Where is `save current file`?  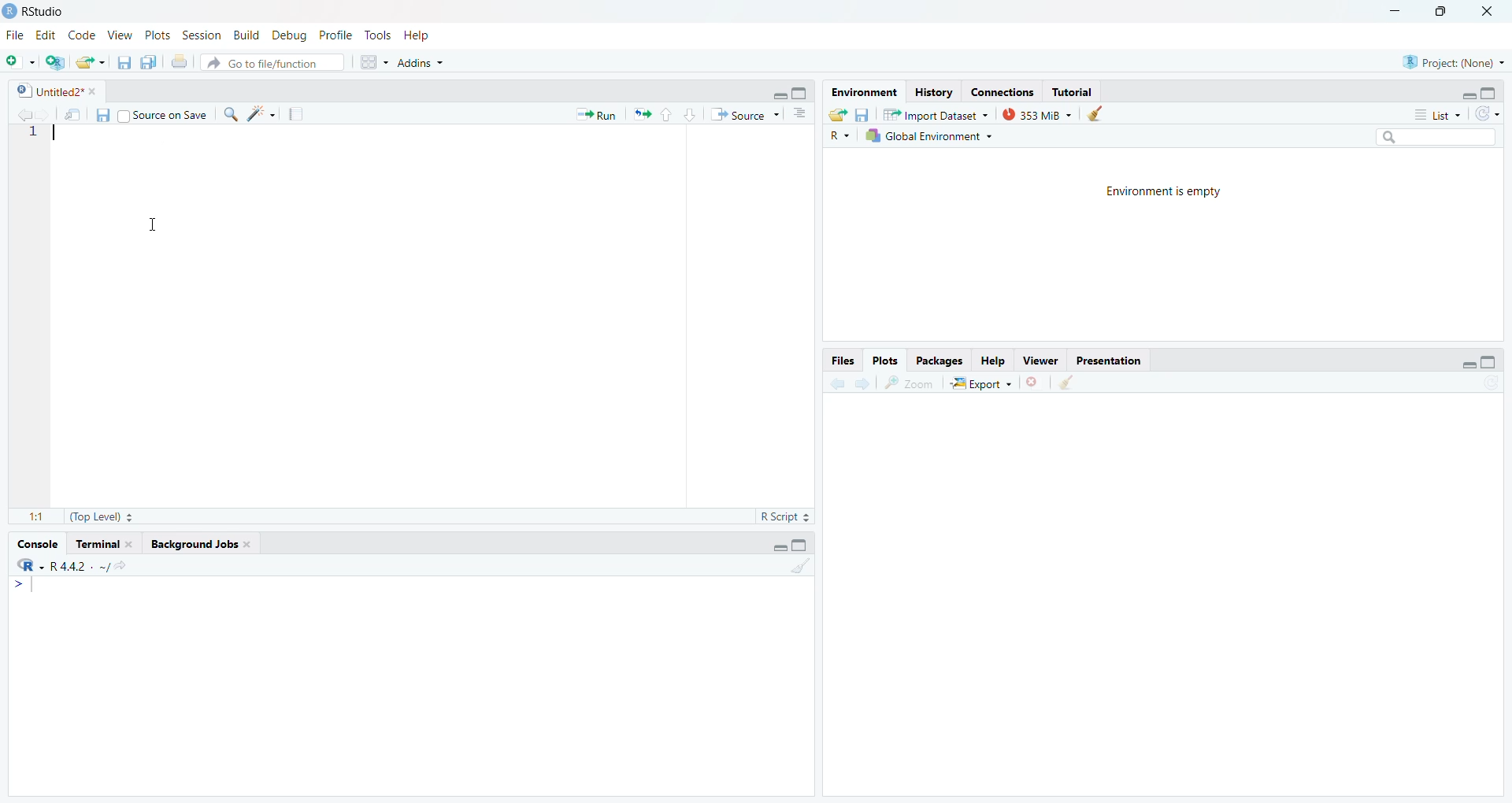 save current file is located at coordinates (102, 117).